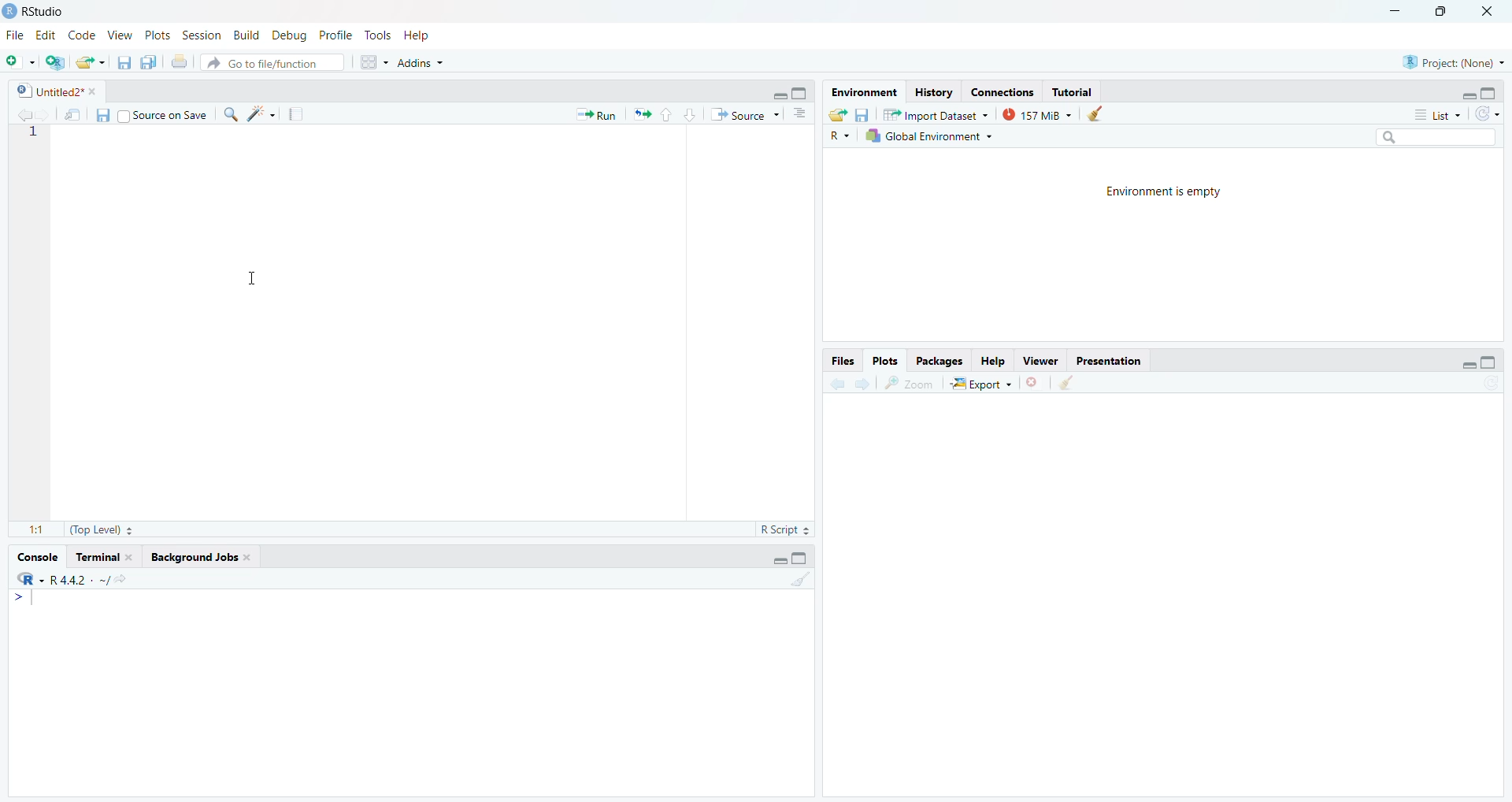  What do you see at coordinates (288, 35) in the screenshot?
I see `Debug` at bounding box center [288, 35].